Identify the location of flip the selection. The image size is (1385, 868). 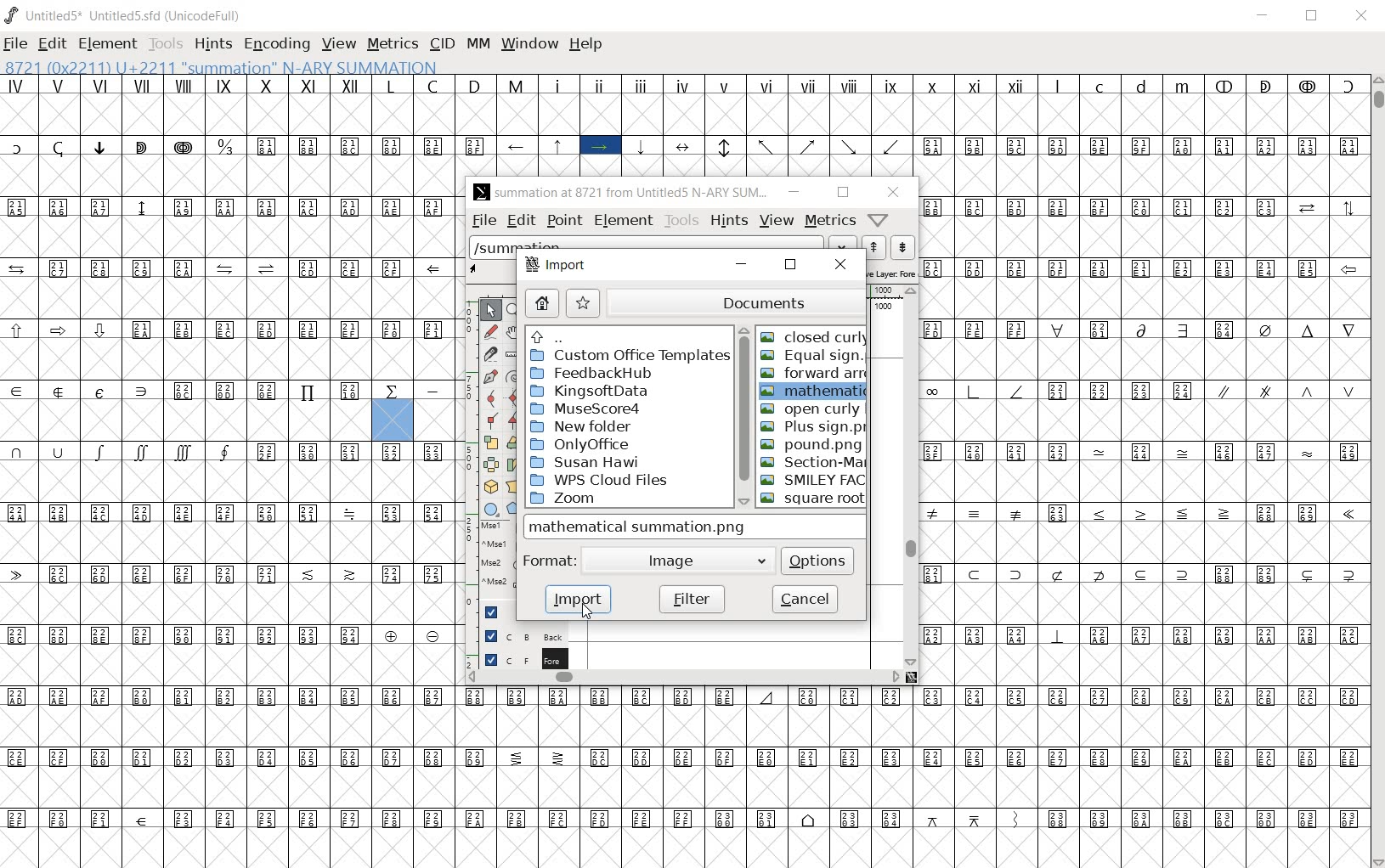
(492, 465).